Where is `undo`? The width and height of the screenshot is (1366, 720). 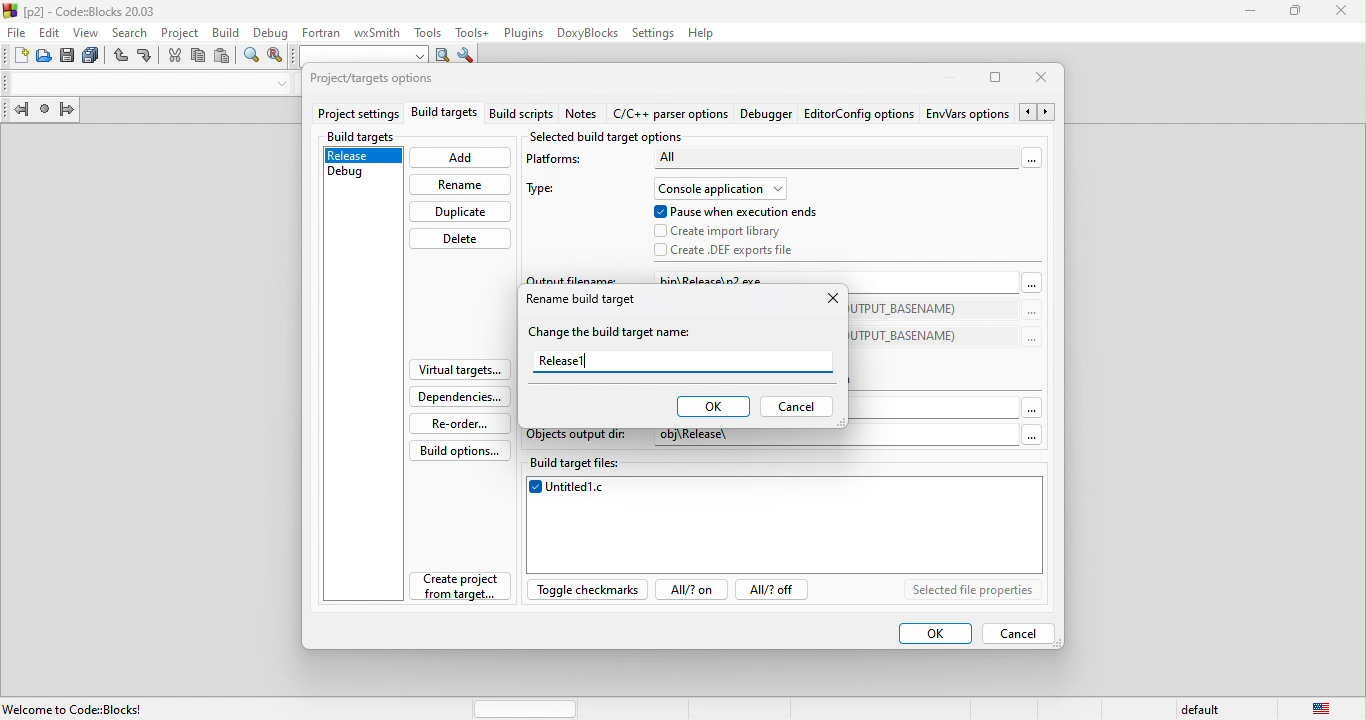 undo is located at coordinates (122, 58).